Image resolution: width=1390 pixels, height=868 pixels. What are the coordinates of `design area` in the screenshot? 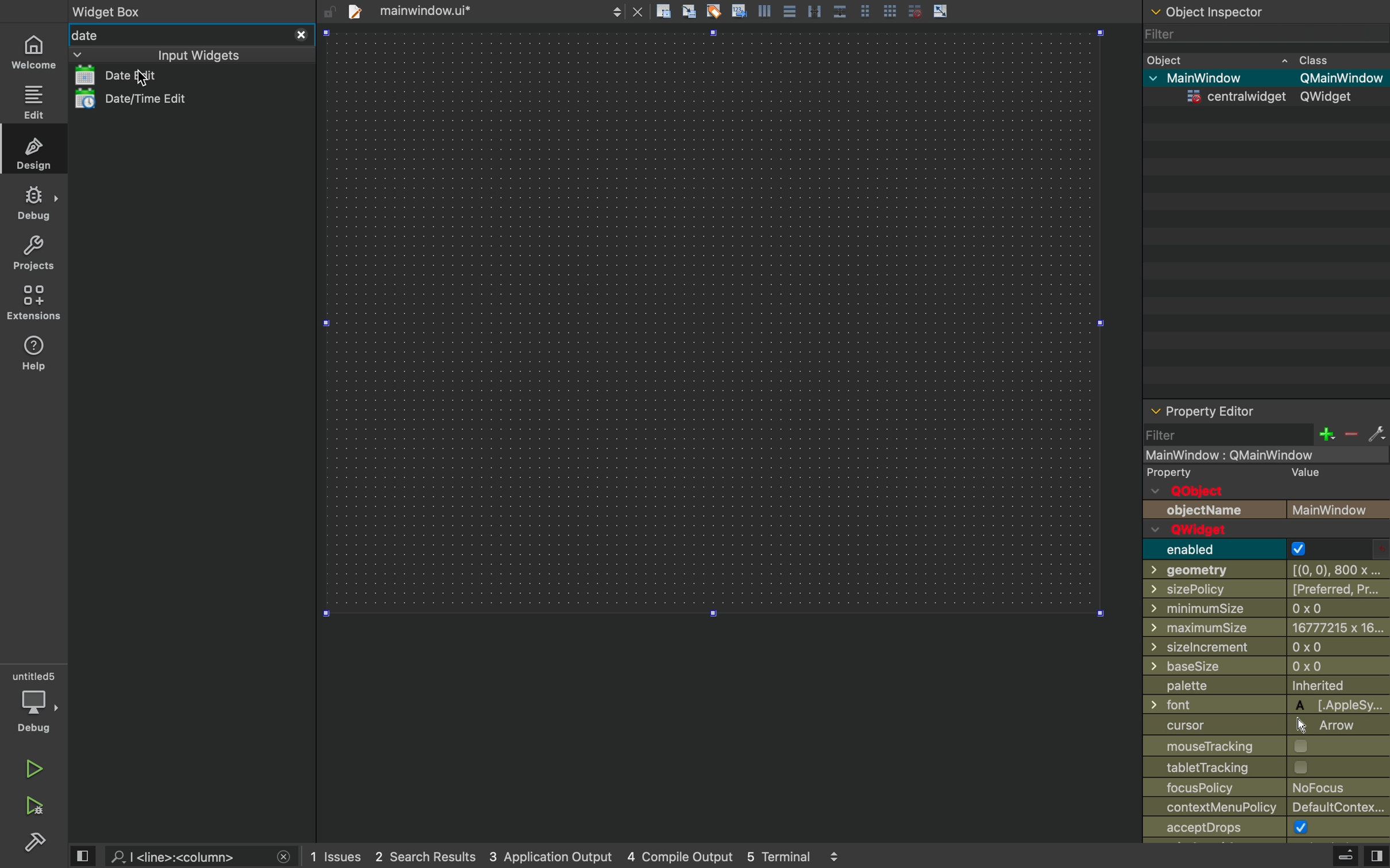 It's located at (712, 321).